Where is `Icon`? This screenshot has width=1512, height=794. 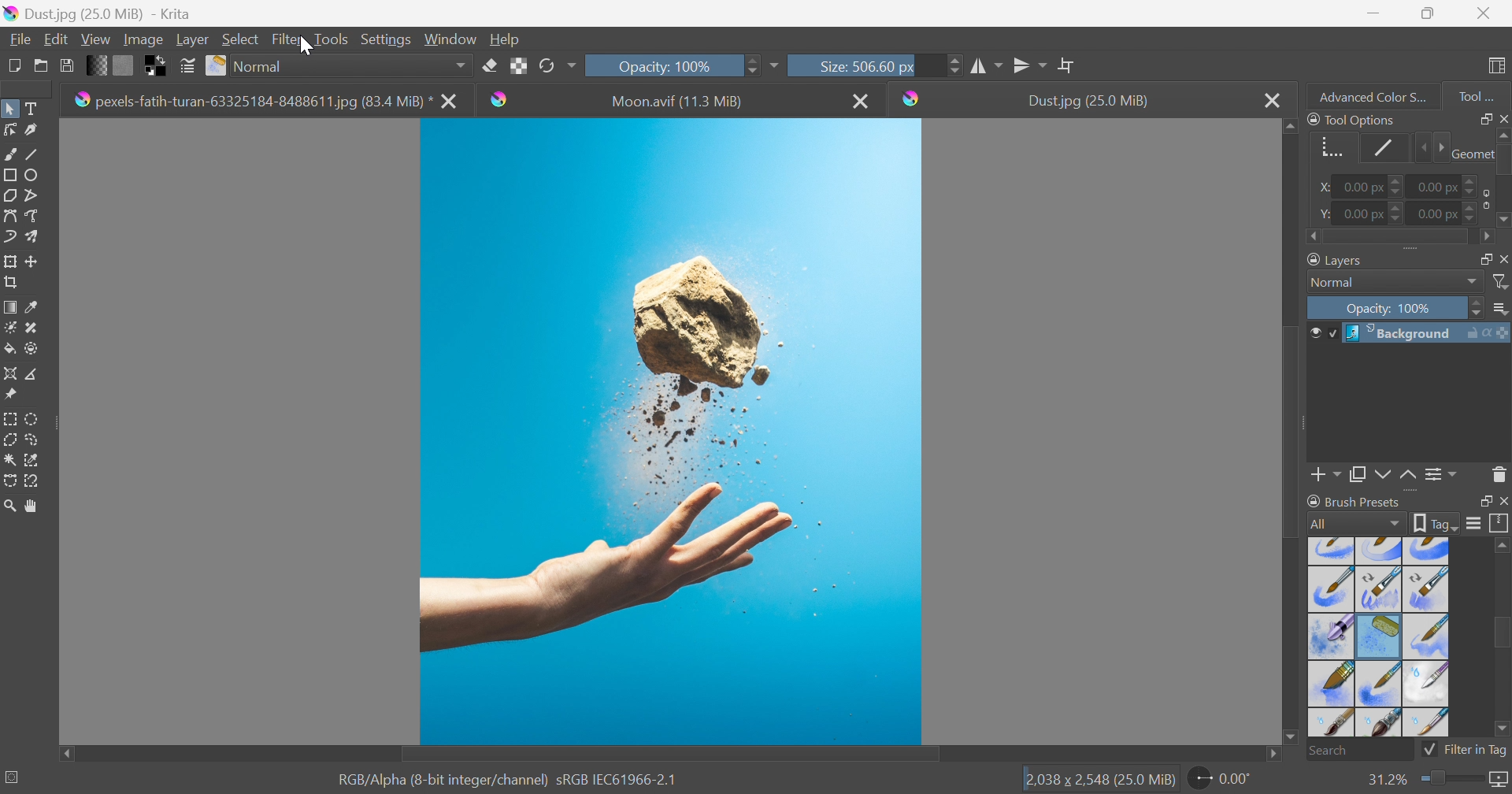 Icon is located at coordinates (1483, 198).